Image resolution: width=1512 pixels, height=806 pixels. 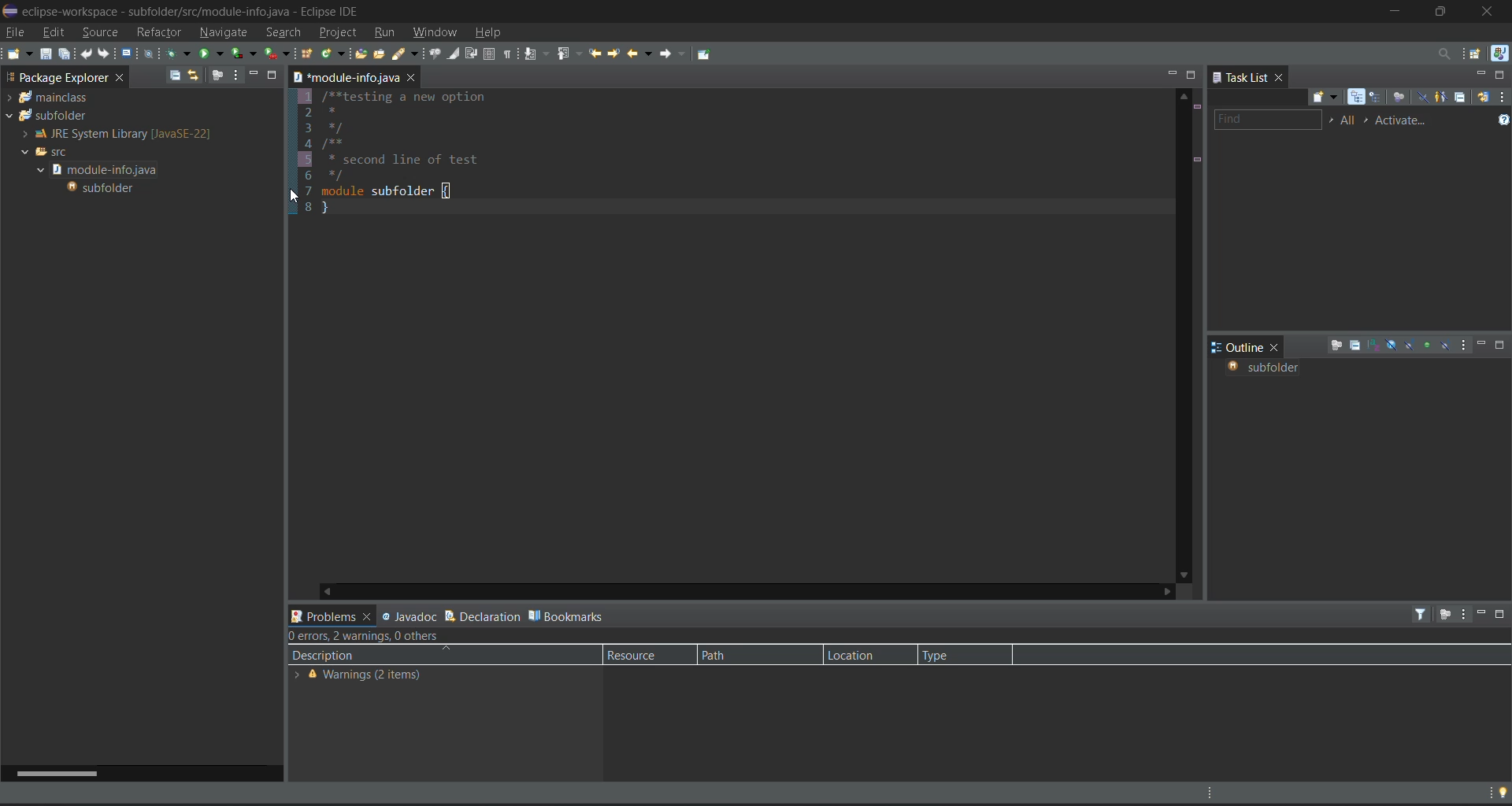 I want to click on run, so click(x=388, y=33).